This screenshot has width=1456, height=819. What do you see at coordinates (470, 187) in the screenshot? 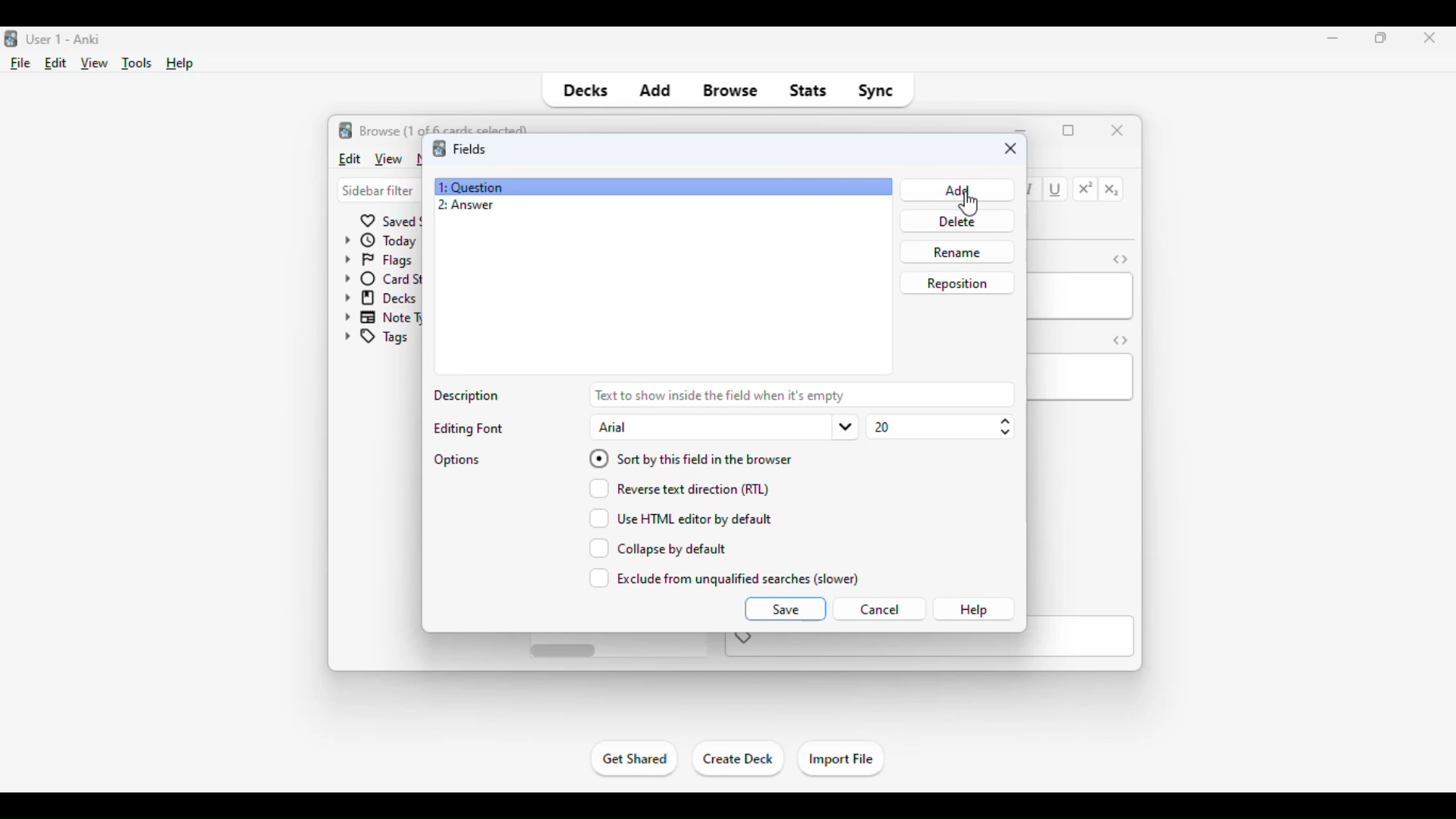
I see `1: Question` at bounding box center [470, 187].